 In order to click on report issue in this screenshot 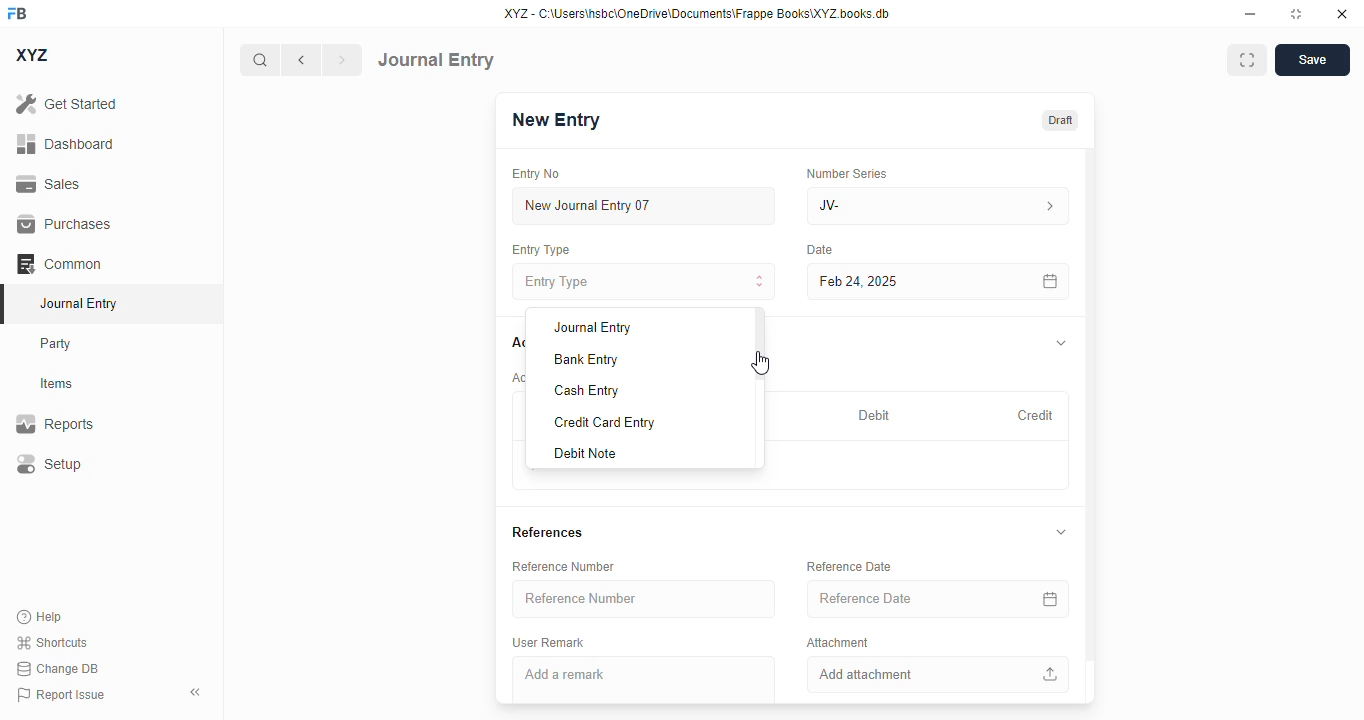, I will do `click(61, 694)`.